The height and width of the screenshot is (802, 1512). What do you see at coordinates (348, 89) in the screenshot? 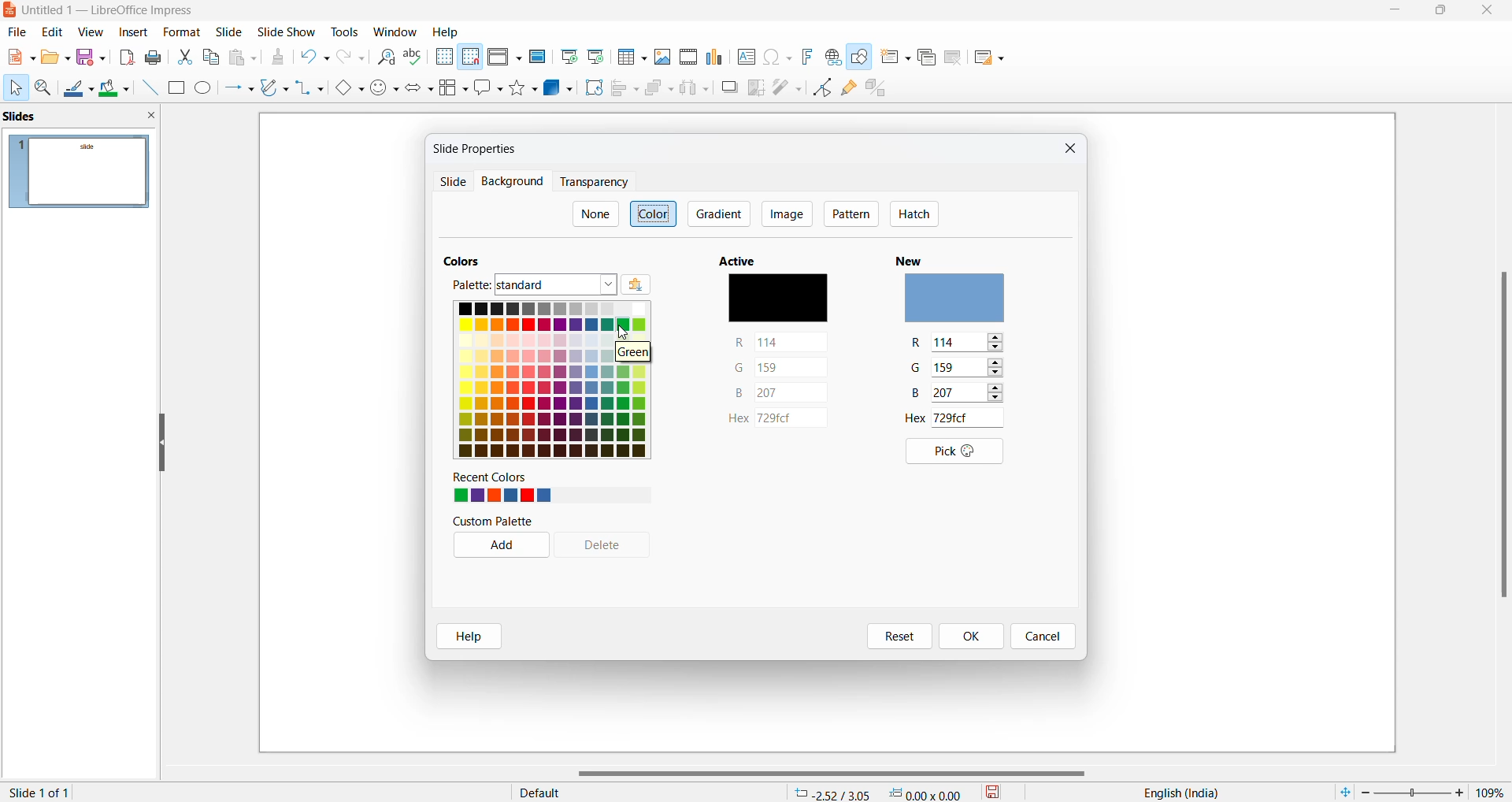
I see `basic shapes` at bounding box center [348, 89].